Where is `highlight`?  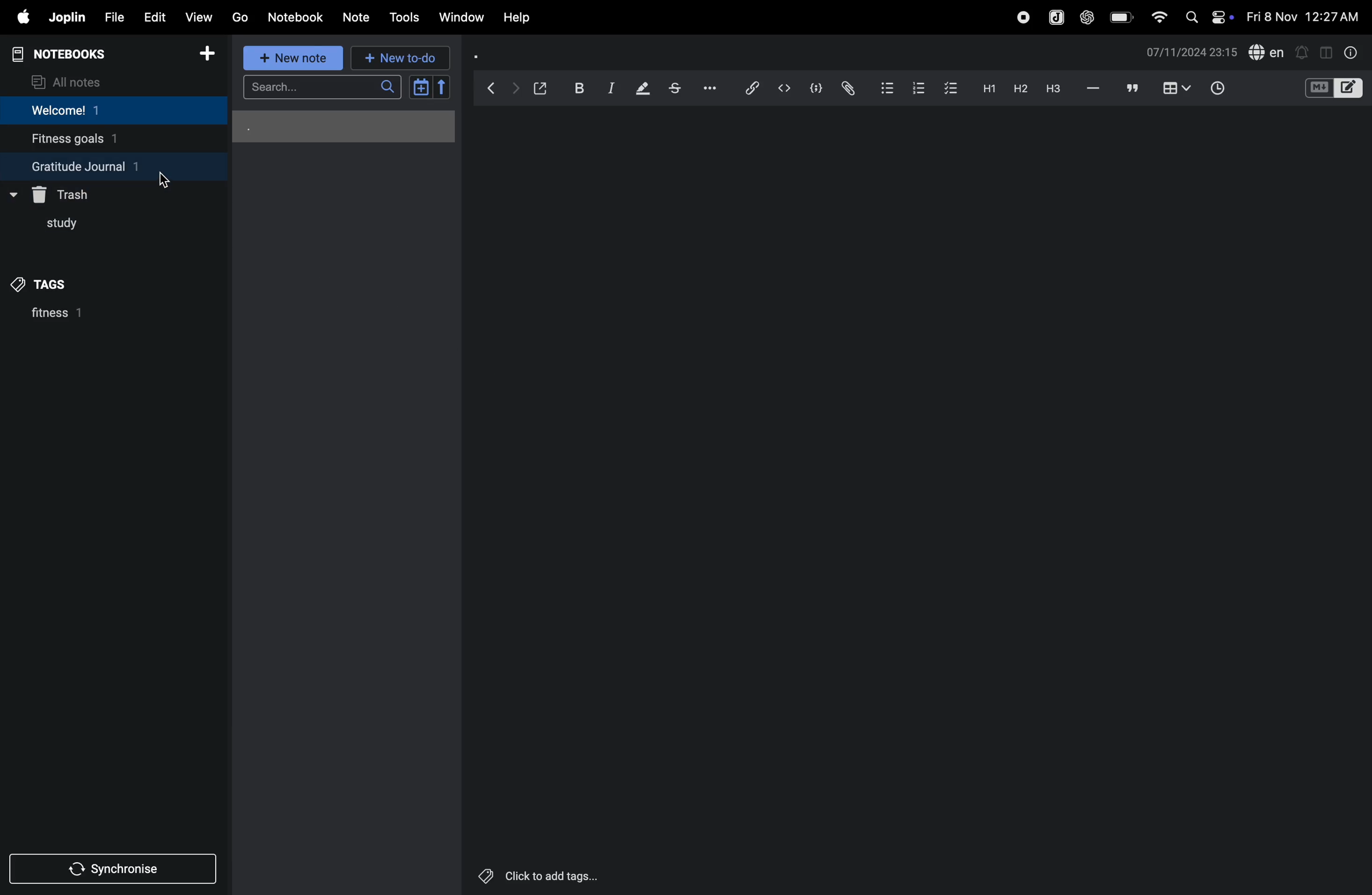 highlight is located at coordinates (643, 88).